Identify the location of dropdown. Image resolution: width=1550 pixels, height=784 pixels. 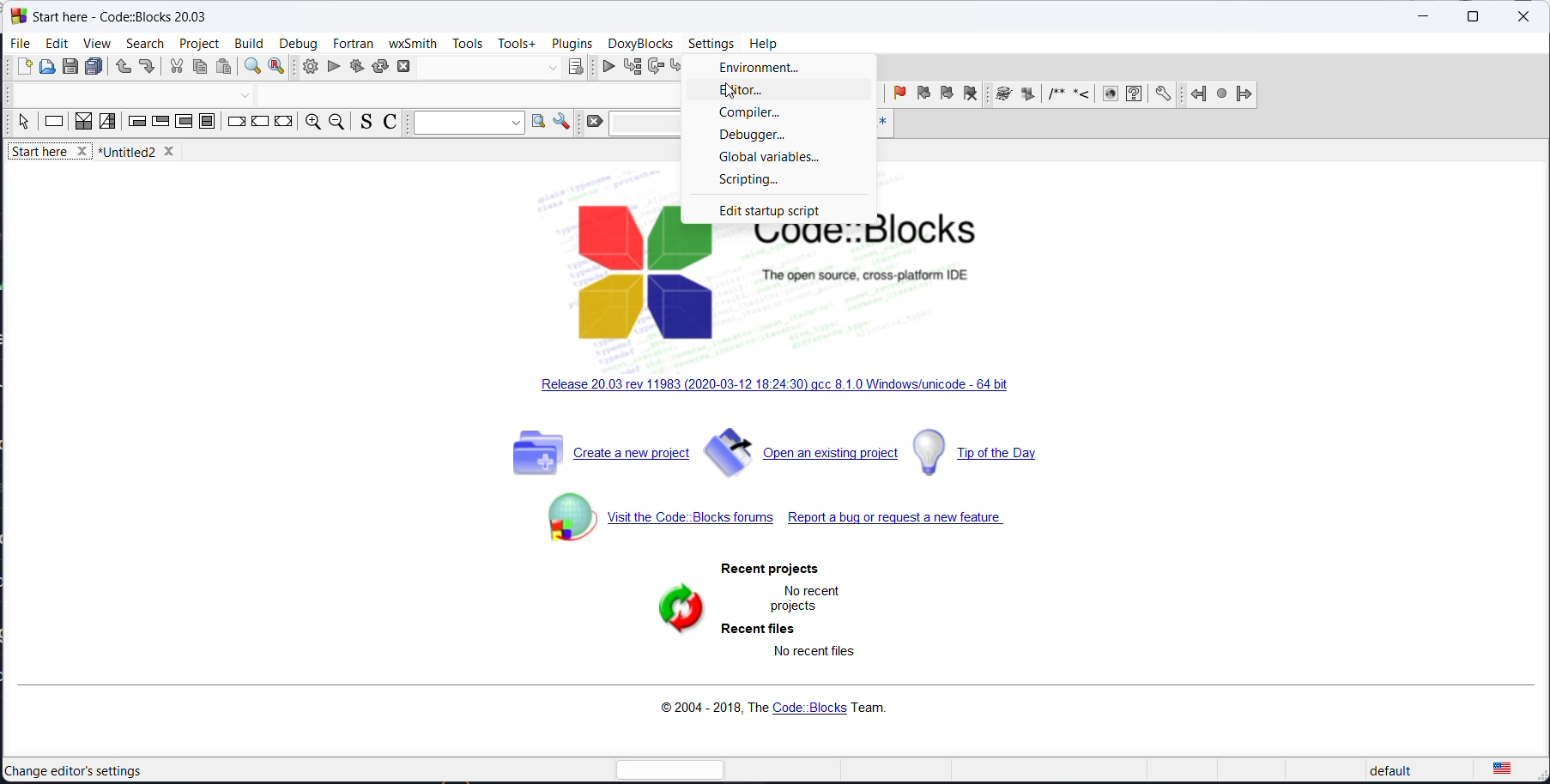
(552, 69).